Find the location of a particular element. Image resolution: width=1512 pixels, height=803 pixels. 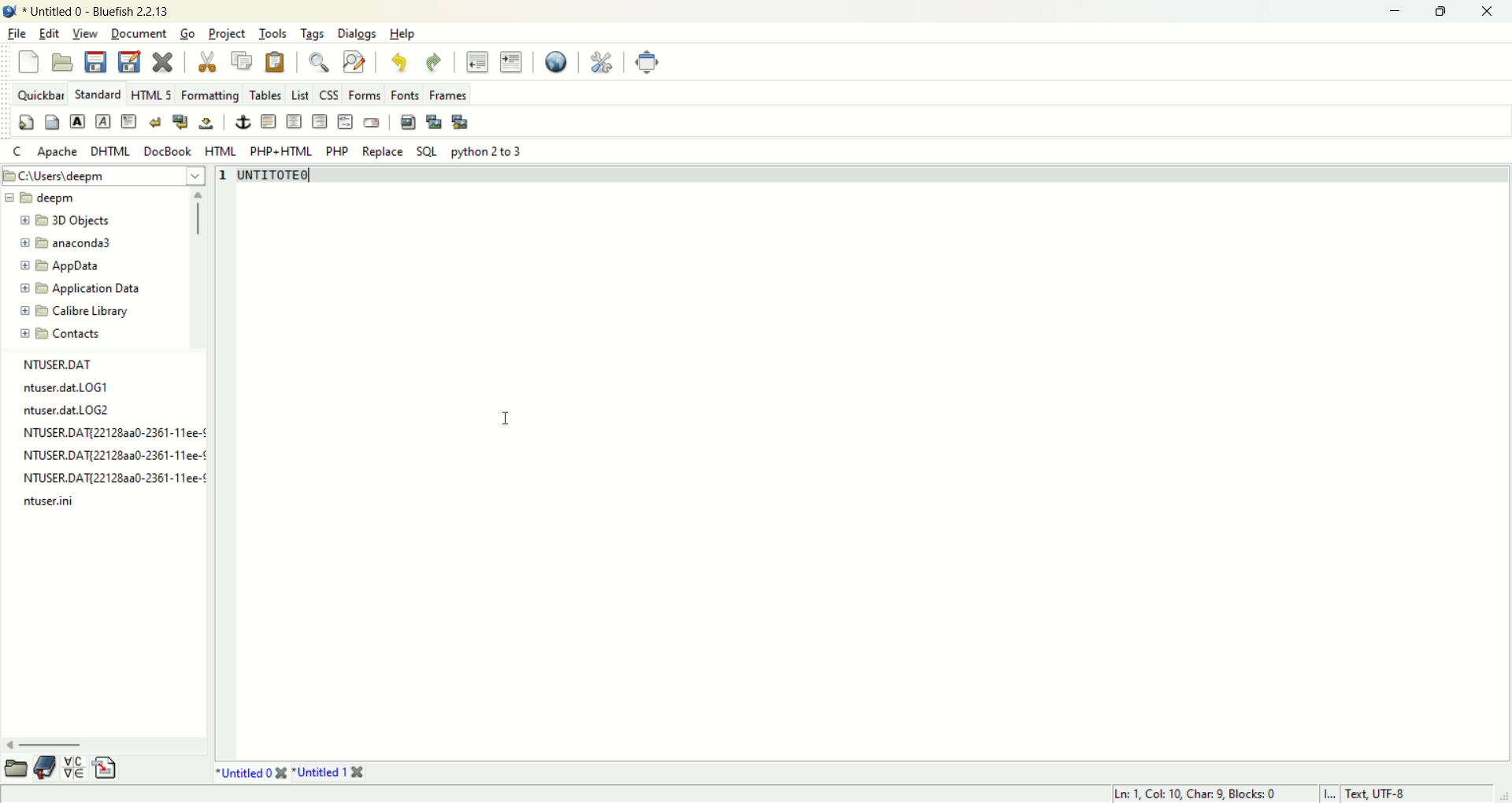

tables is located at coordinates (262, 97).